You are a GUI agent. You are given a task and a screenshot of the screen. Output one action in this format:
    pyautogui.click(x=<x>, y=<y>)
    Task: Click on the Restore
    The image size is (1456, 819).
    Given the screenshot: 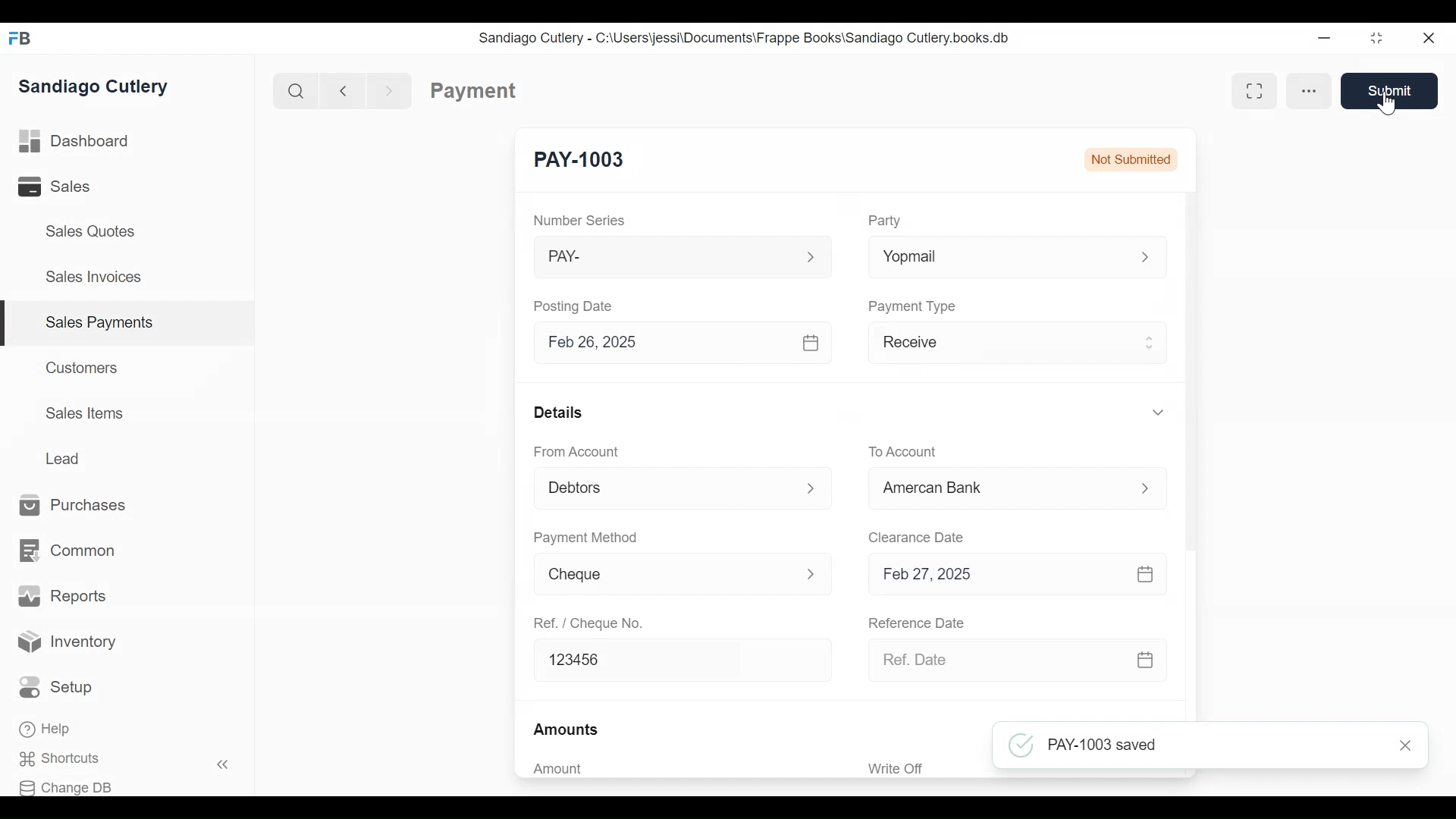 What is the action you would take?
    pyautogui.click(x=1376, y=39)
    